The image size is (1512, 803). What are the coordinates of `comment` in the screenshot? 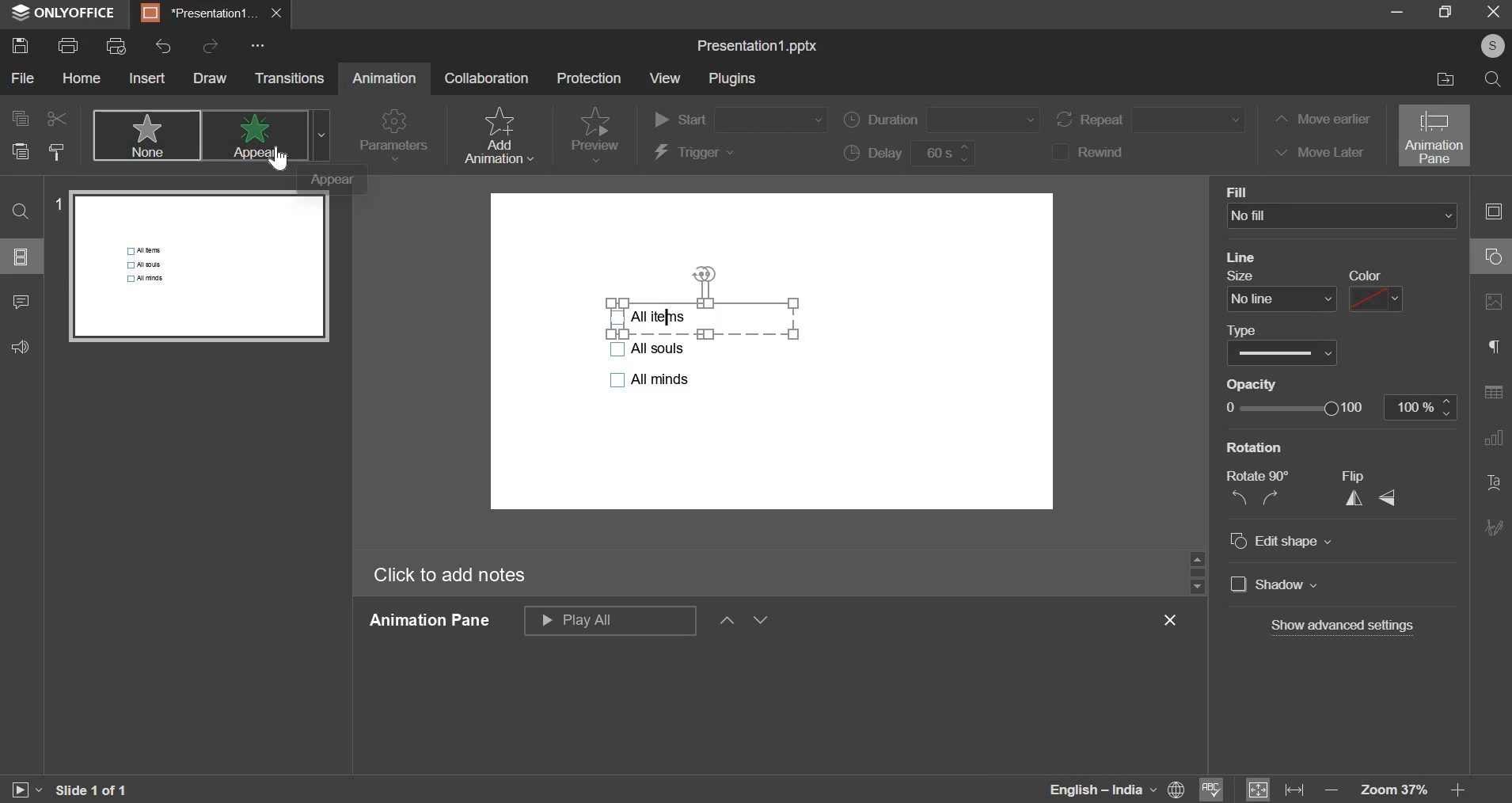 It's located at (20, 304).